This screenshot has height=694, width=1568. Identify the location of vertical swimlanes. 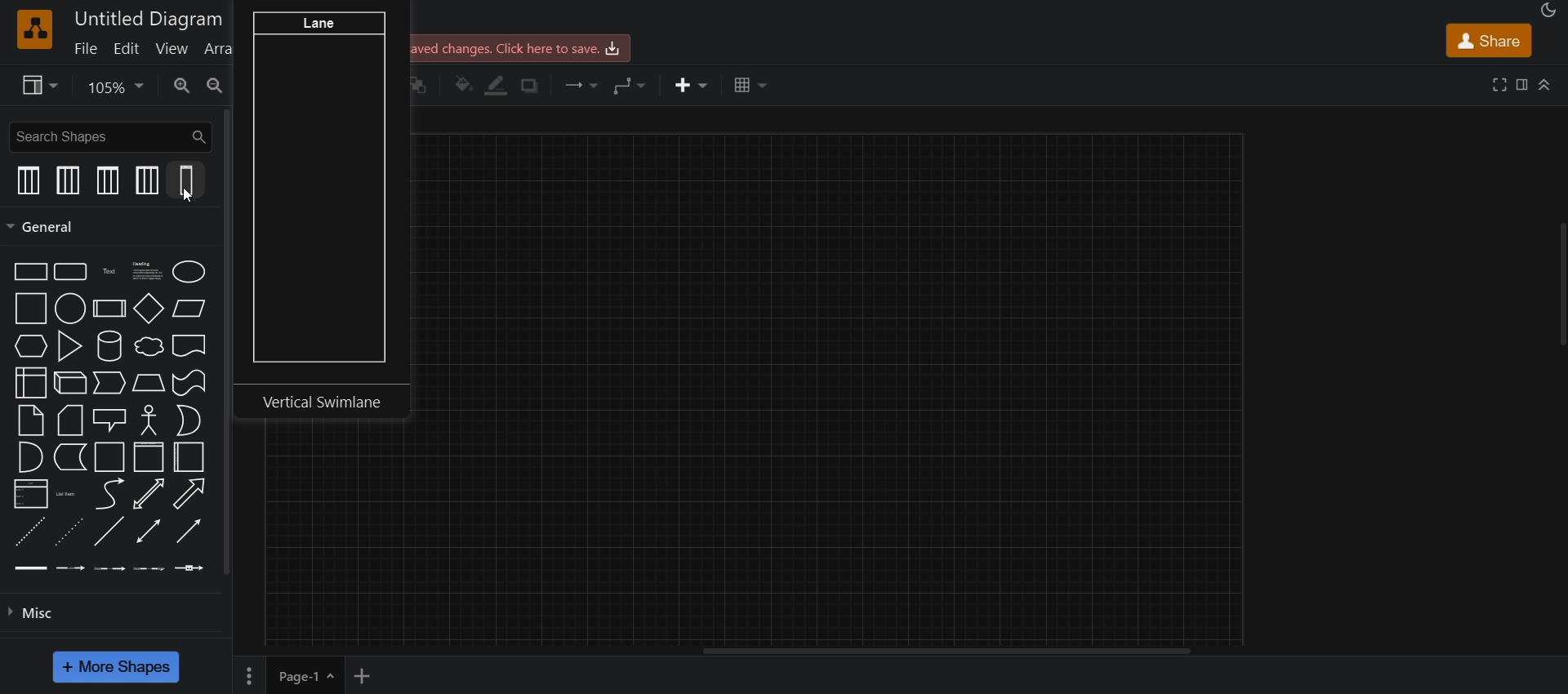
(187, 182).